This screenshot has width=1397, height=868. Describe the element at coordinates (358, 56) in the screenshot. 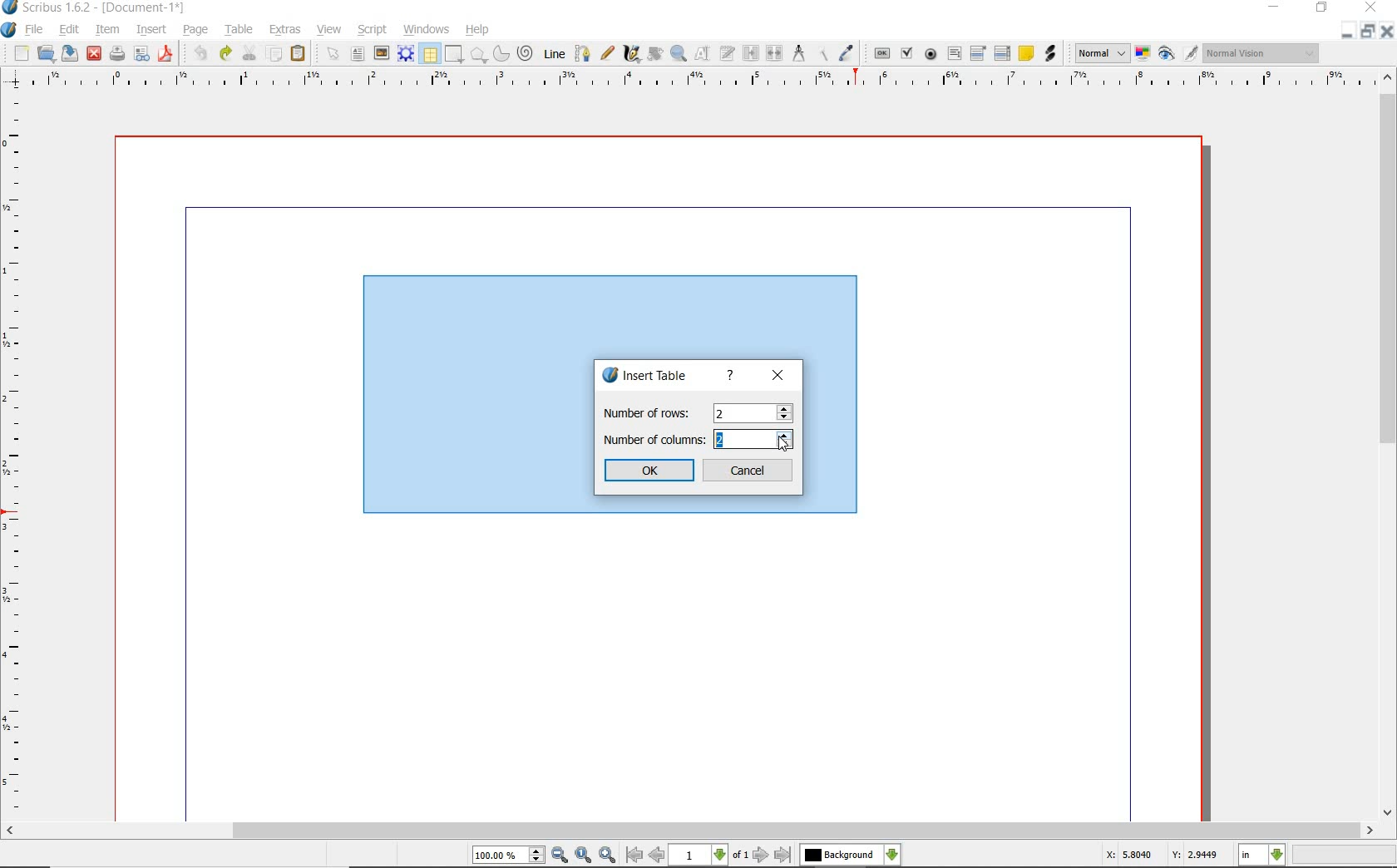

I see `text frame` at that location.